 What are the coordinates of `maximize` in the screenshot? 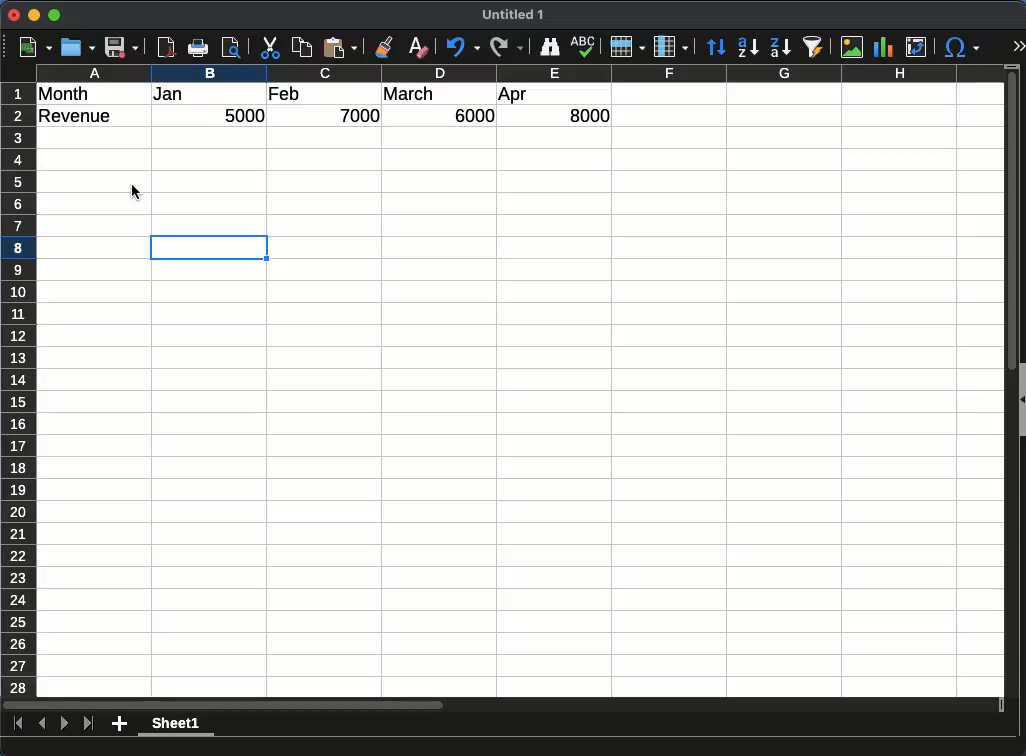 It's located at (54, 15).